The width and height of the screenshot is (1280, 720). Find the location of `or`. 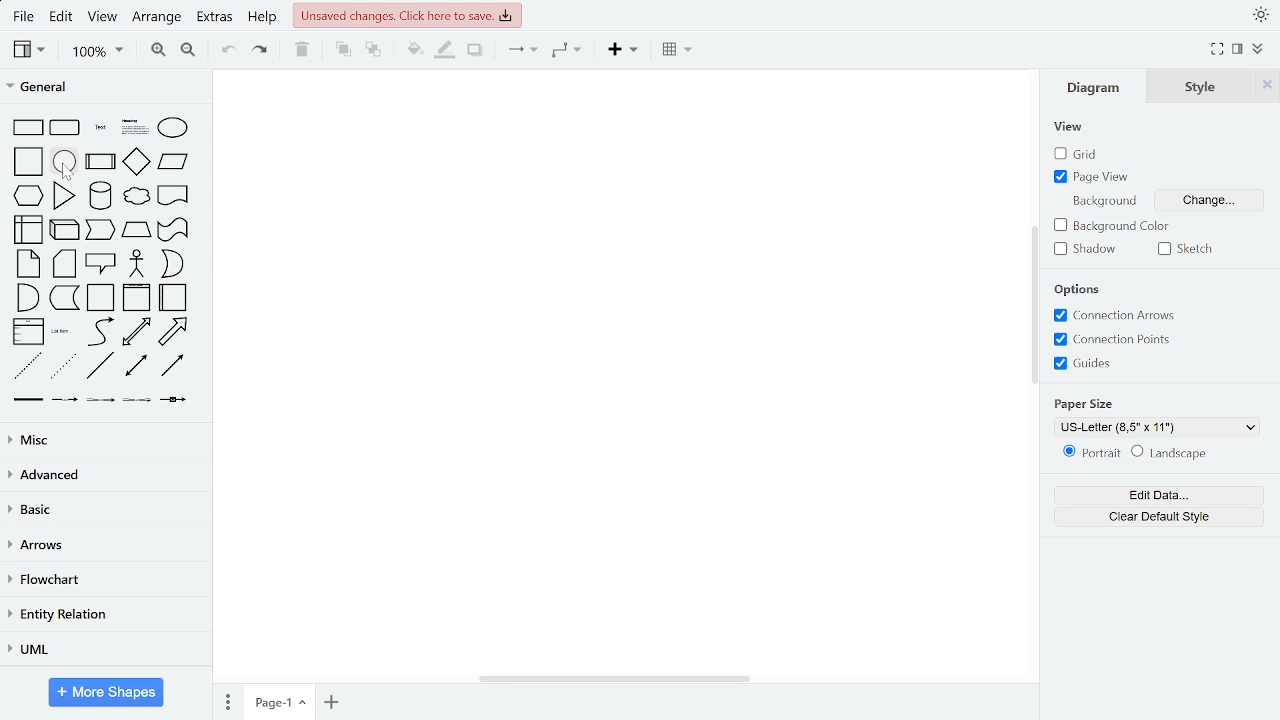

or is located at coordinates (173, 263).